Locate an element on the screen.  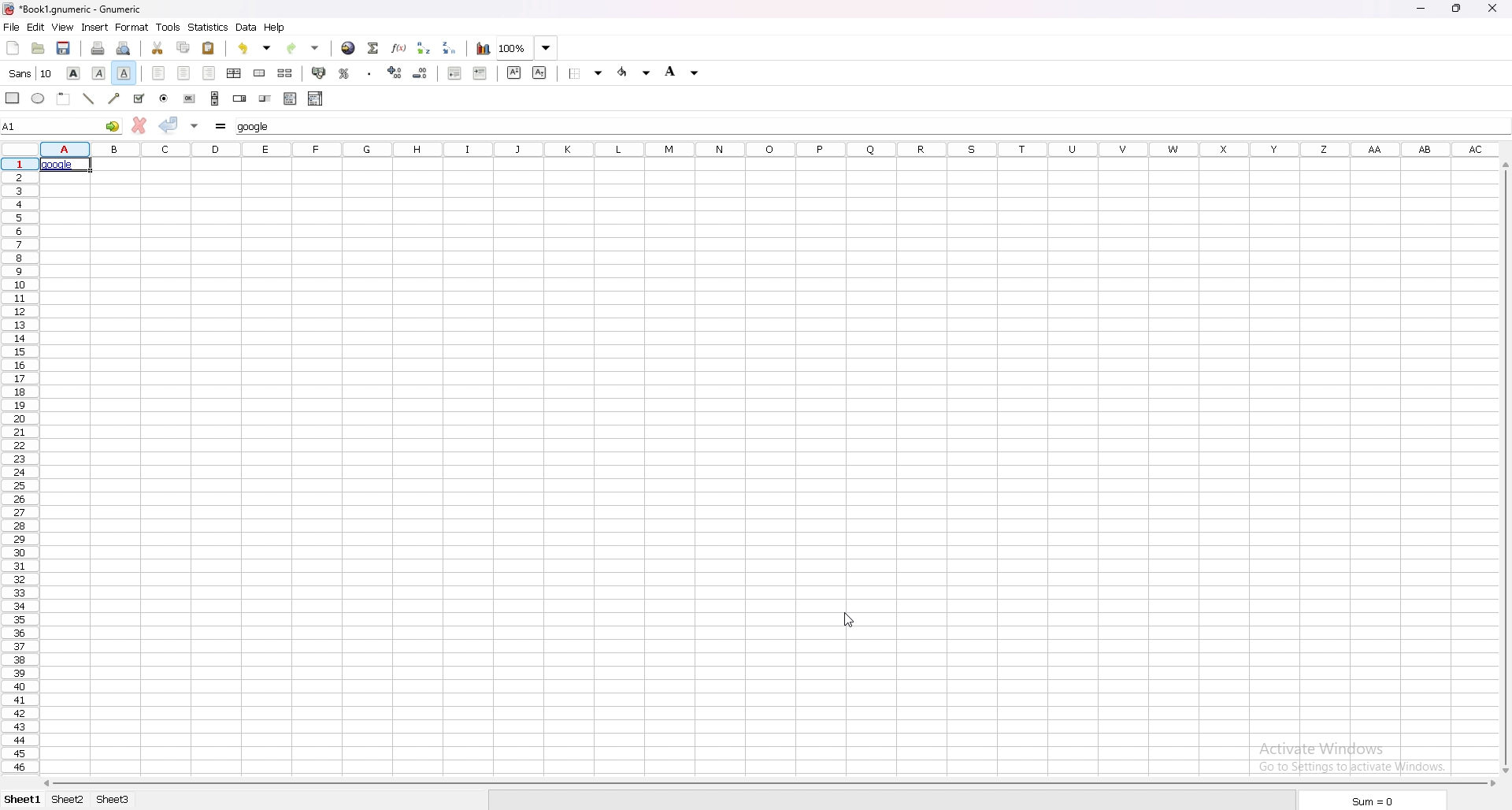
border is located at coordinates (585, 73).